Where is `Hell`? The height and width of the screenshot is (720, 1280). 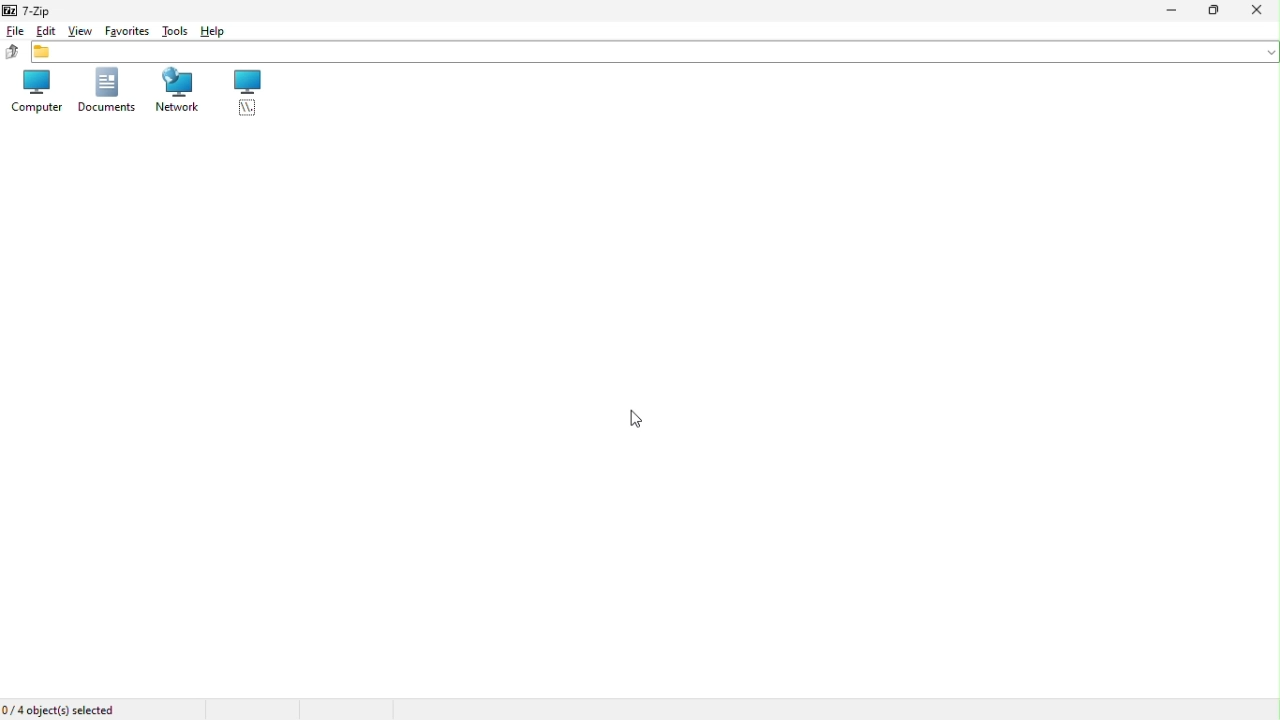 Hell is located at coordinates (217, 31).